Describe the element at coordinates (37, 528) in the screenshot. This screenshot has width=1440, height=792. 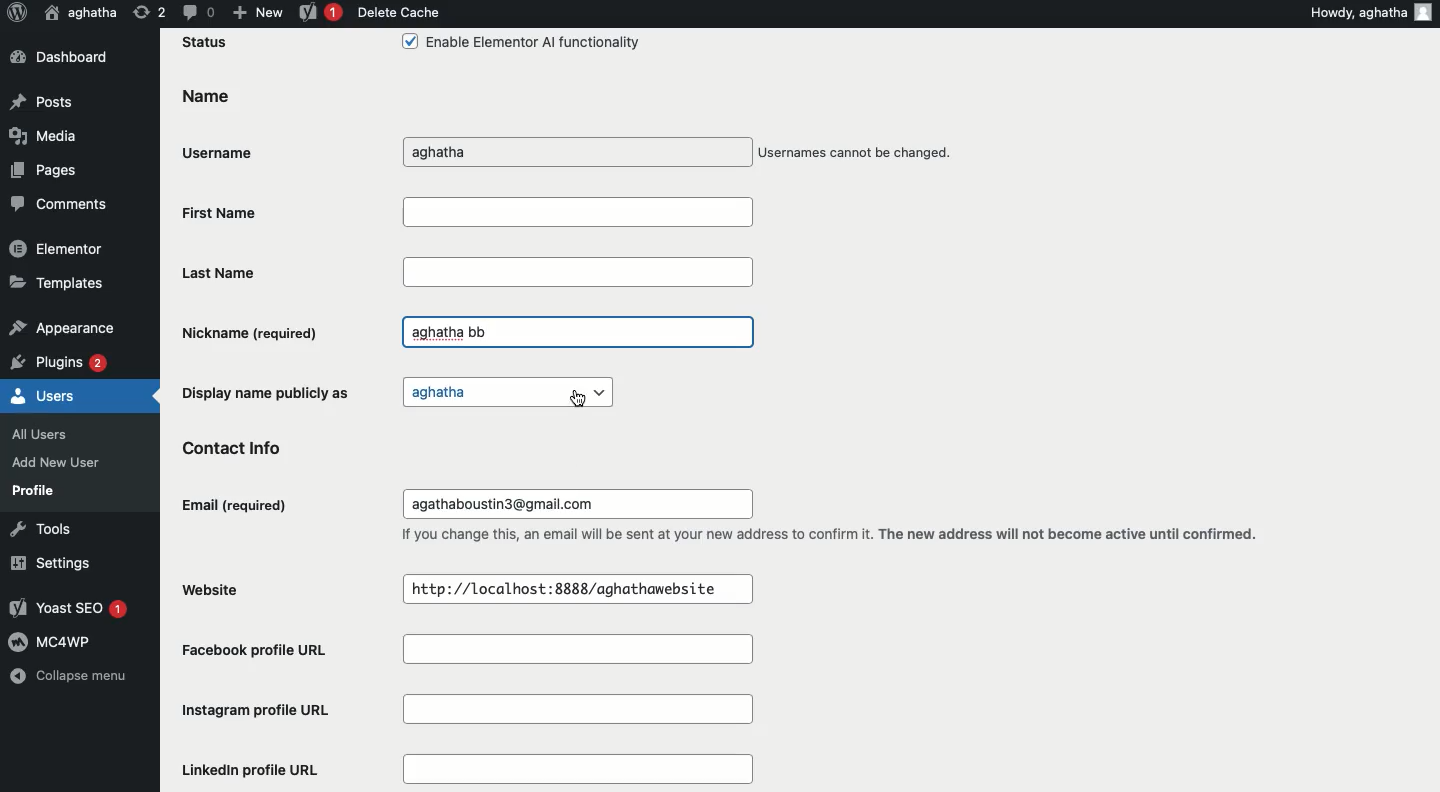
I see `Tools` at that location.